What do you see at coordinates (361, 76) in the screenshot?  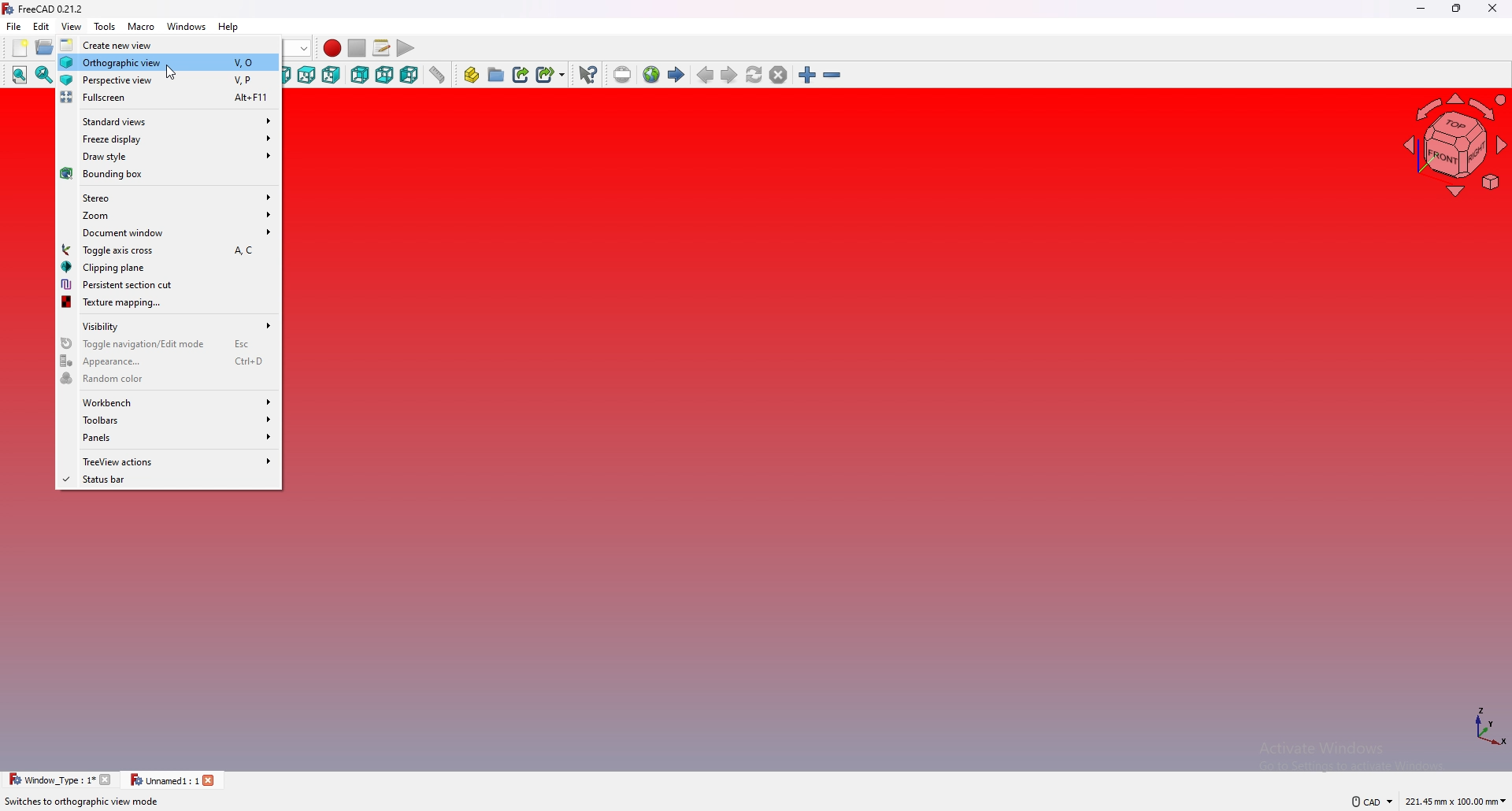 I see `rear` at bounding box center [361, 76].